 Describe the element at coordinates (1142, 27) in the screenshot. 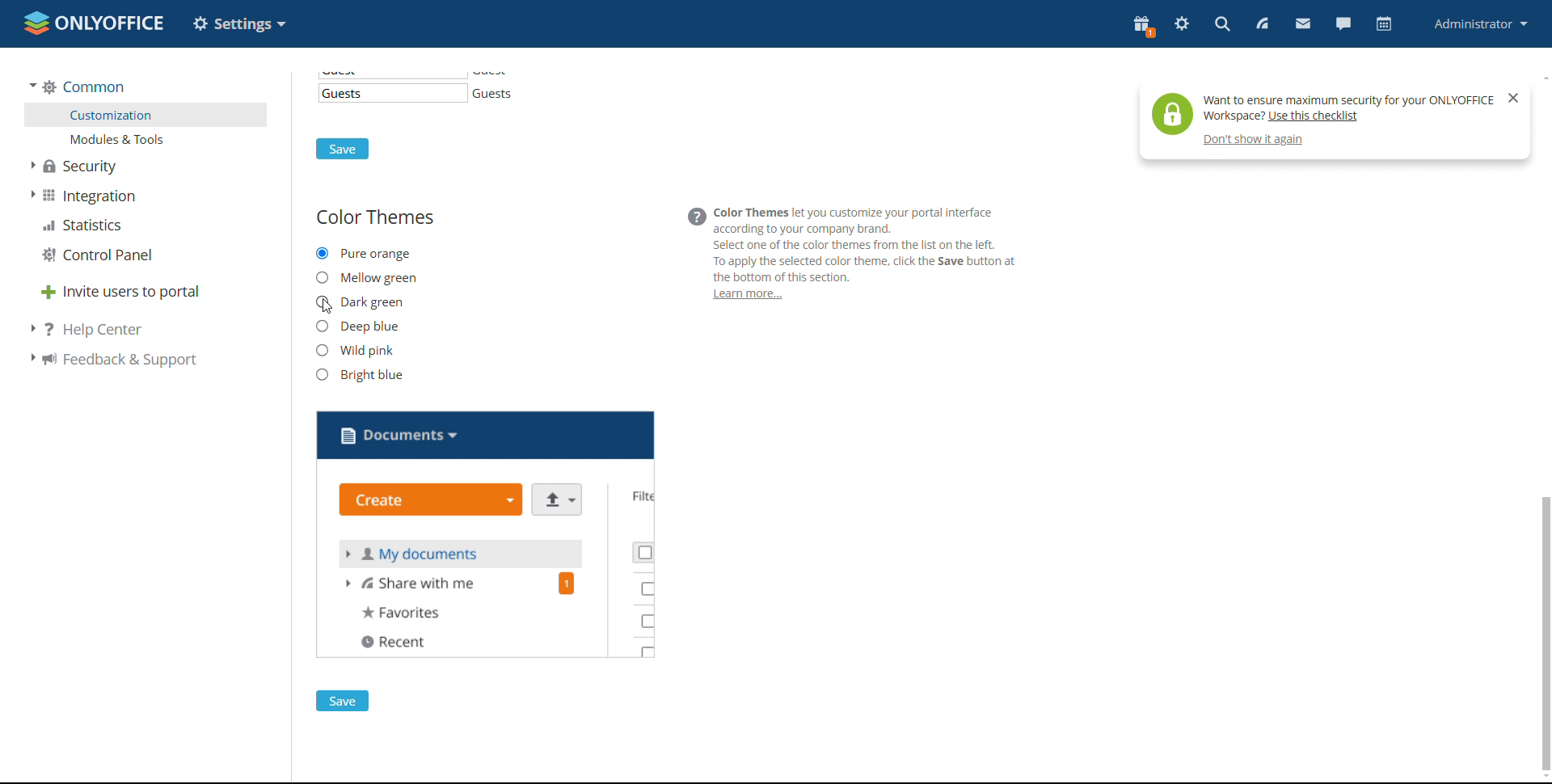

I see `present` at that location.